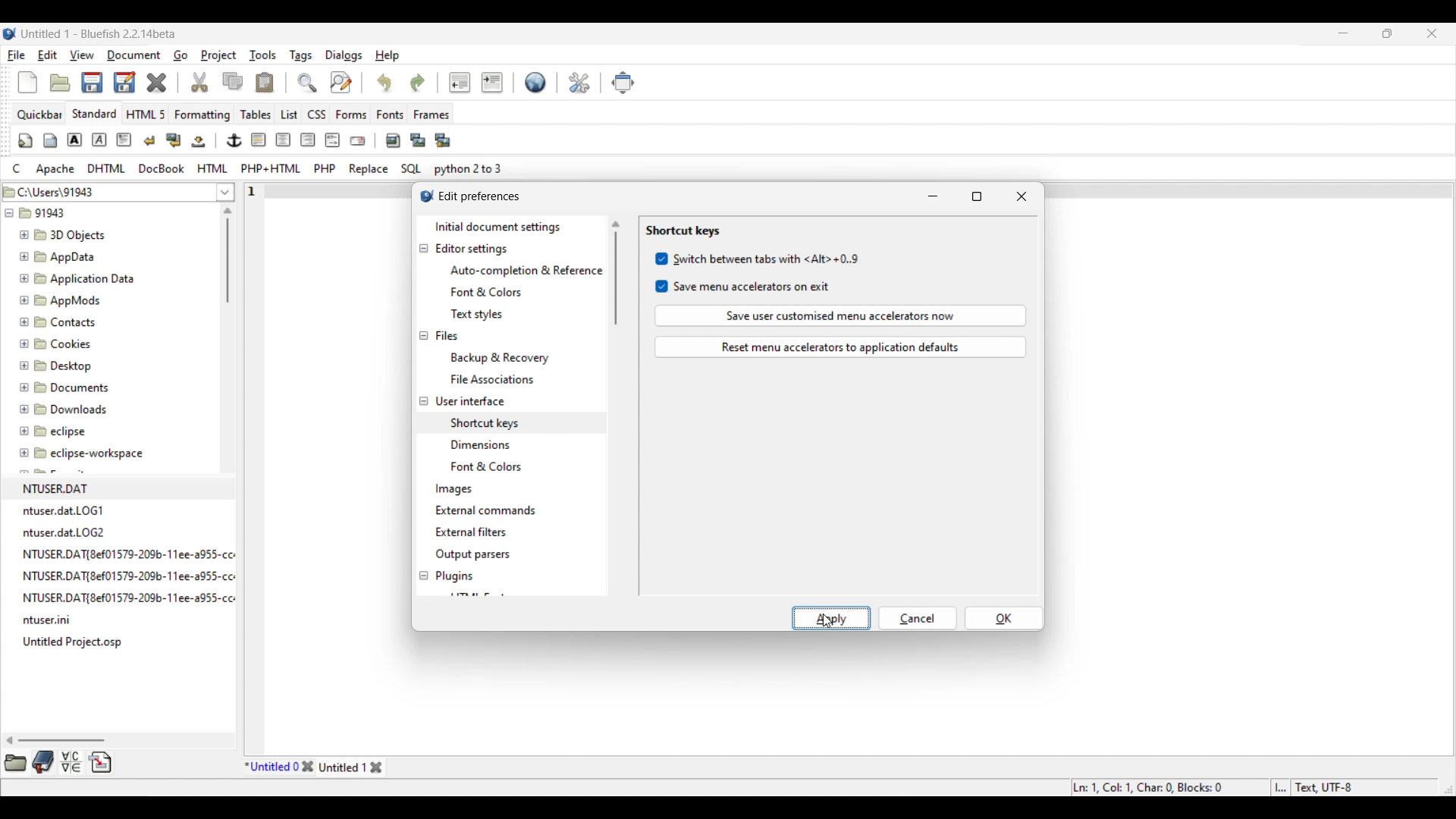 The image size is (1456, 819). Describe the element at coordinates (265, 82) in the screenshot. I see `Paste` at that location.